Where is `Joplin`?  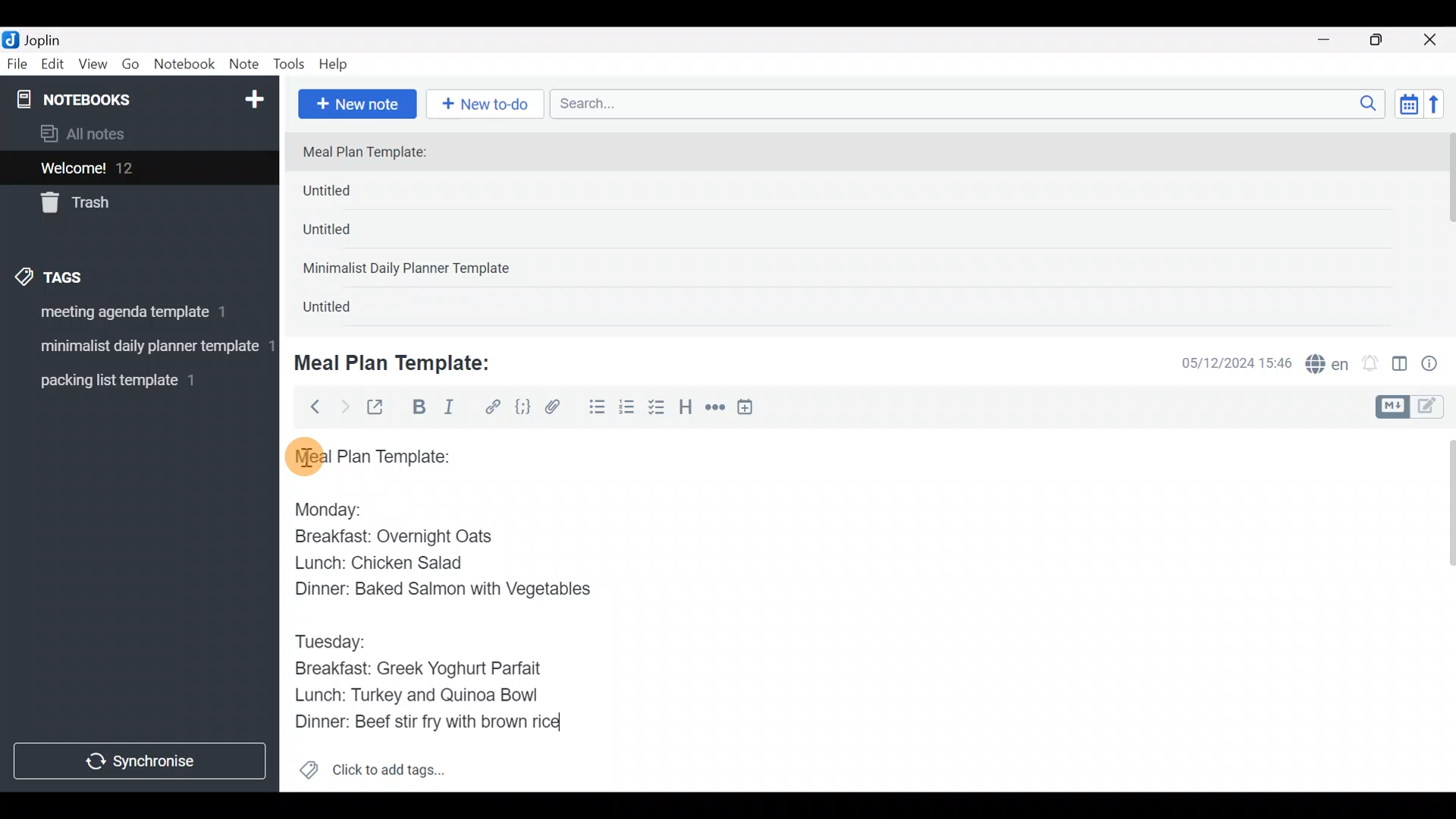
Joplin is located at coordinates (52, 38).